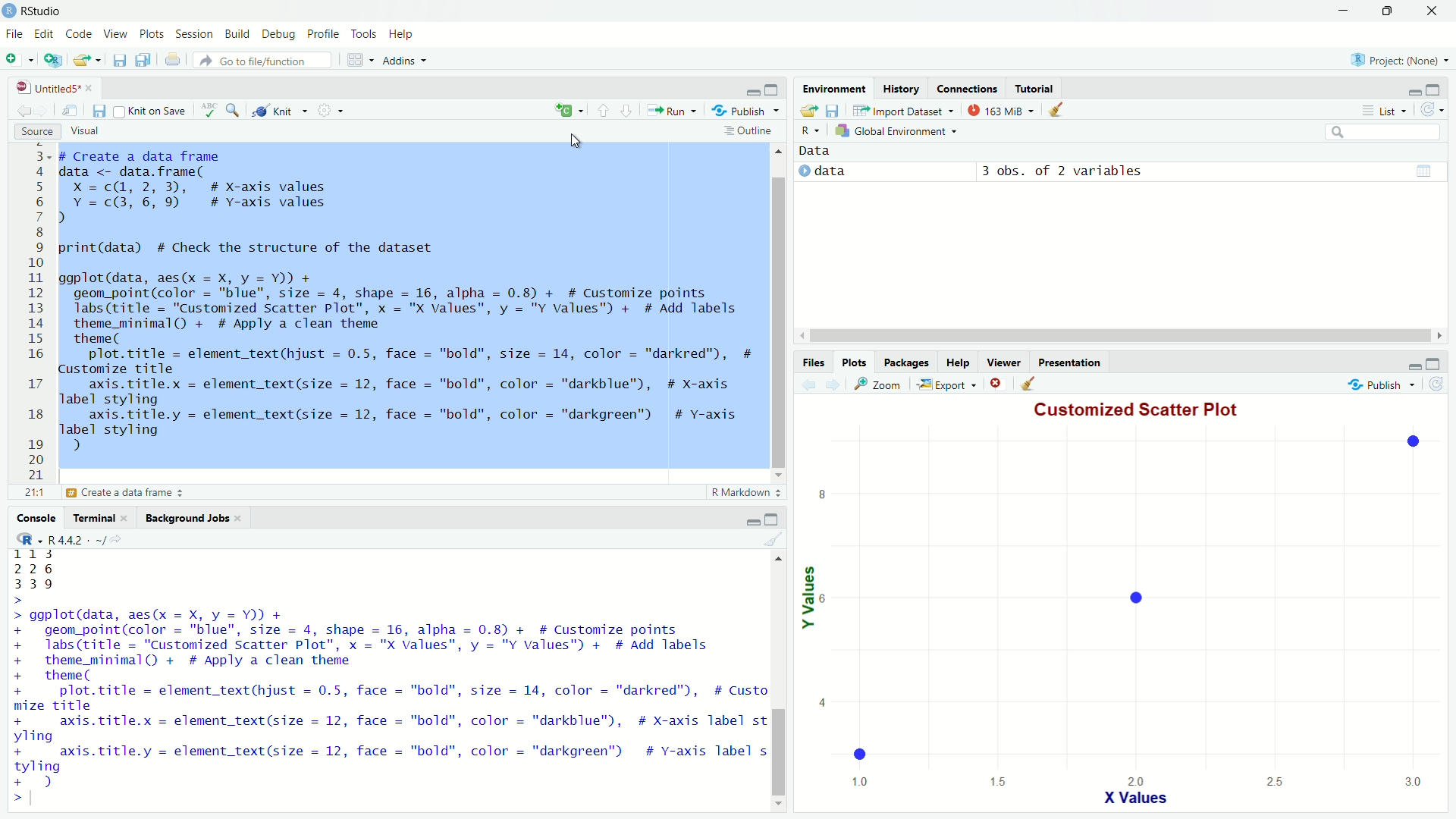 The width and height of the screenshot is (1456, 819). Describe the element at coordinates (819, 363) in the screenshot. I see `Files` at that location.